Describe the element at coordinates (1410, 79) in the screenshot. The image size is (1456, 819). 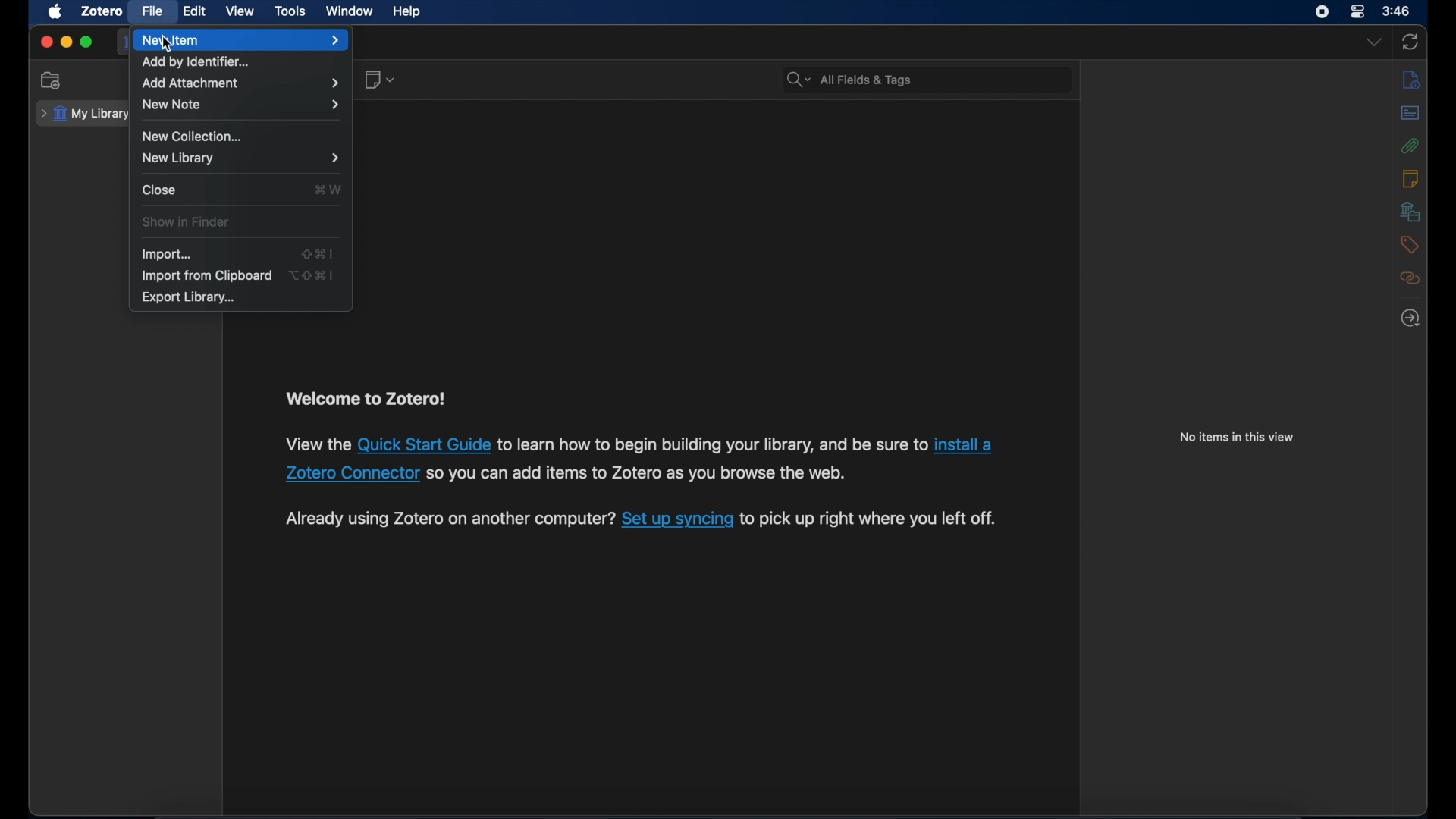
I see `info` at that location.